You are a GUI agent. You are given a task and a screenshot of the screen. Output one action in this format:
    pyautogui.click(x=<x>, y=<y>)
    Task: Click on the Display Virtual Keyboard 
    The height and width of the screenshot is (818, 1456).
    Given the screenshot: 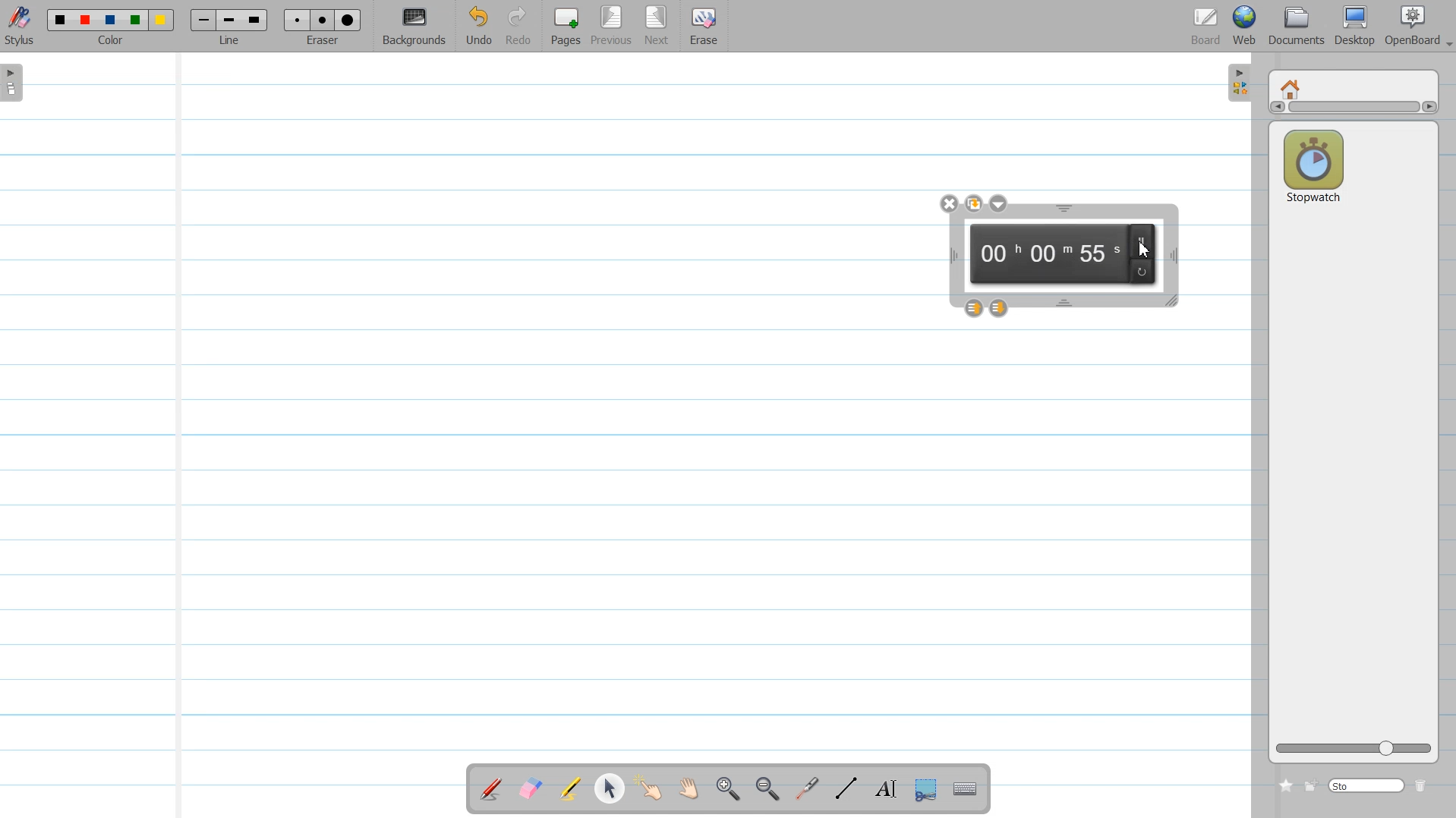 What is the action you would take?
    pyautogui.click(x=967, y=789)
    